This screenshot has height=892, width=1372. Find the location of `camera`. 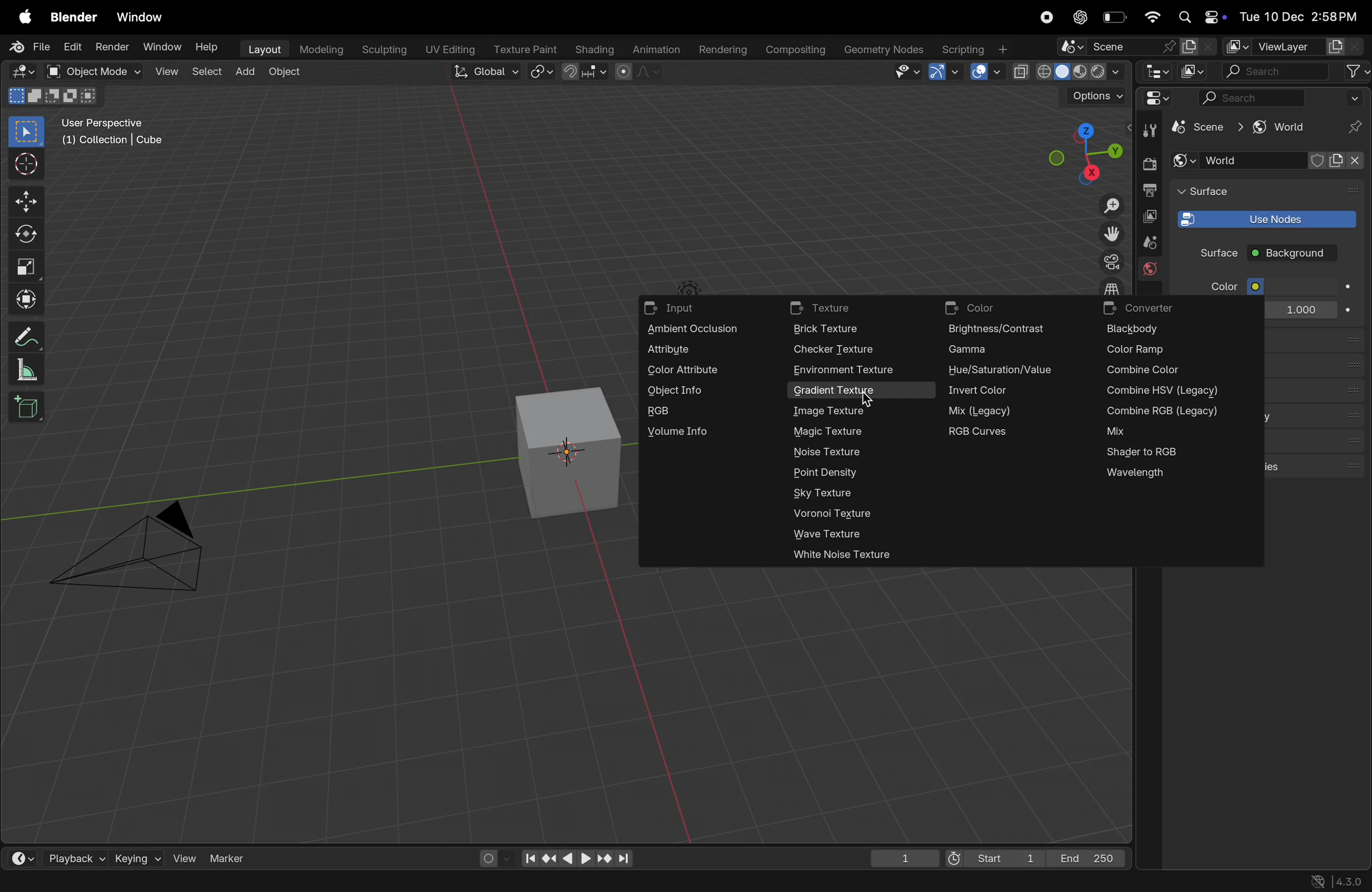

camera is located at coordinates (1108, 262).